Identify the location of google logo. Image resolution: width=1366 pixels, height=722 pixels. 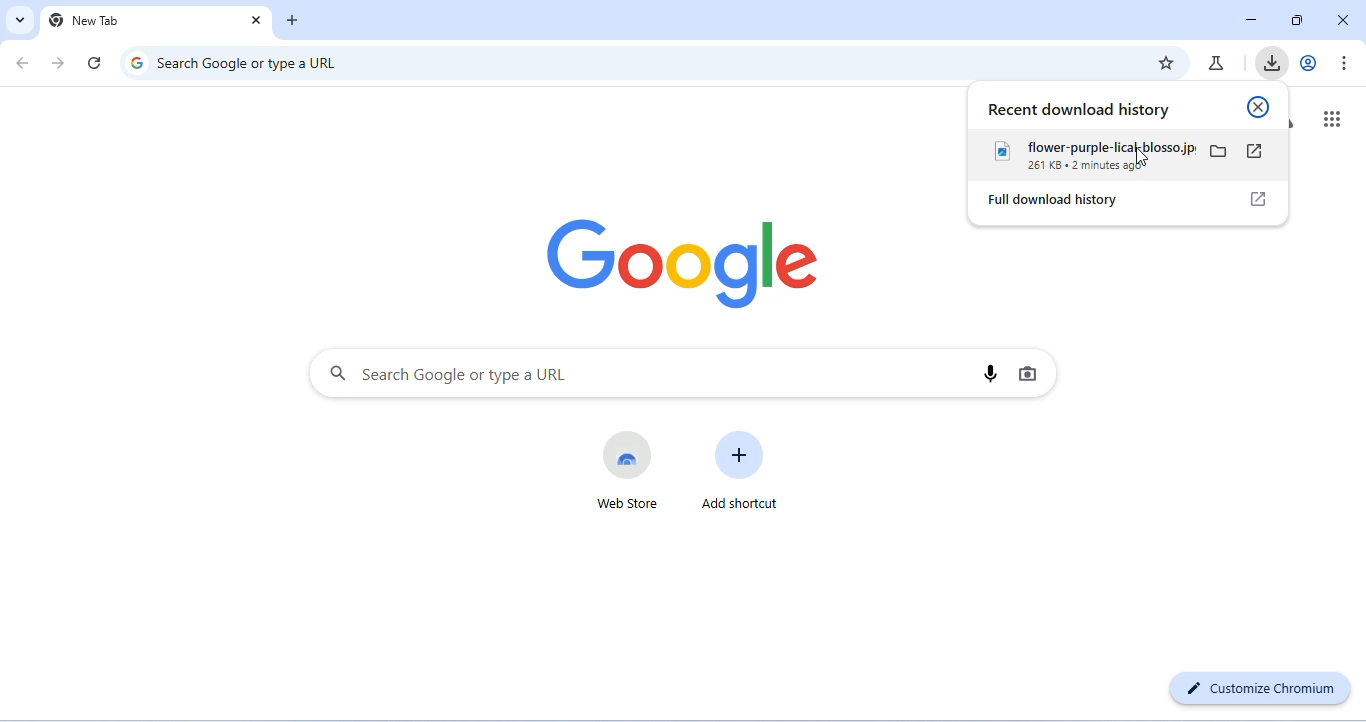
(680, 261).